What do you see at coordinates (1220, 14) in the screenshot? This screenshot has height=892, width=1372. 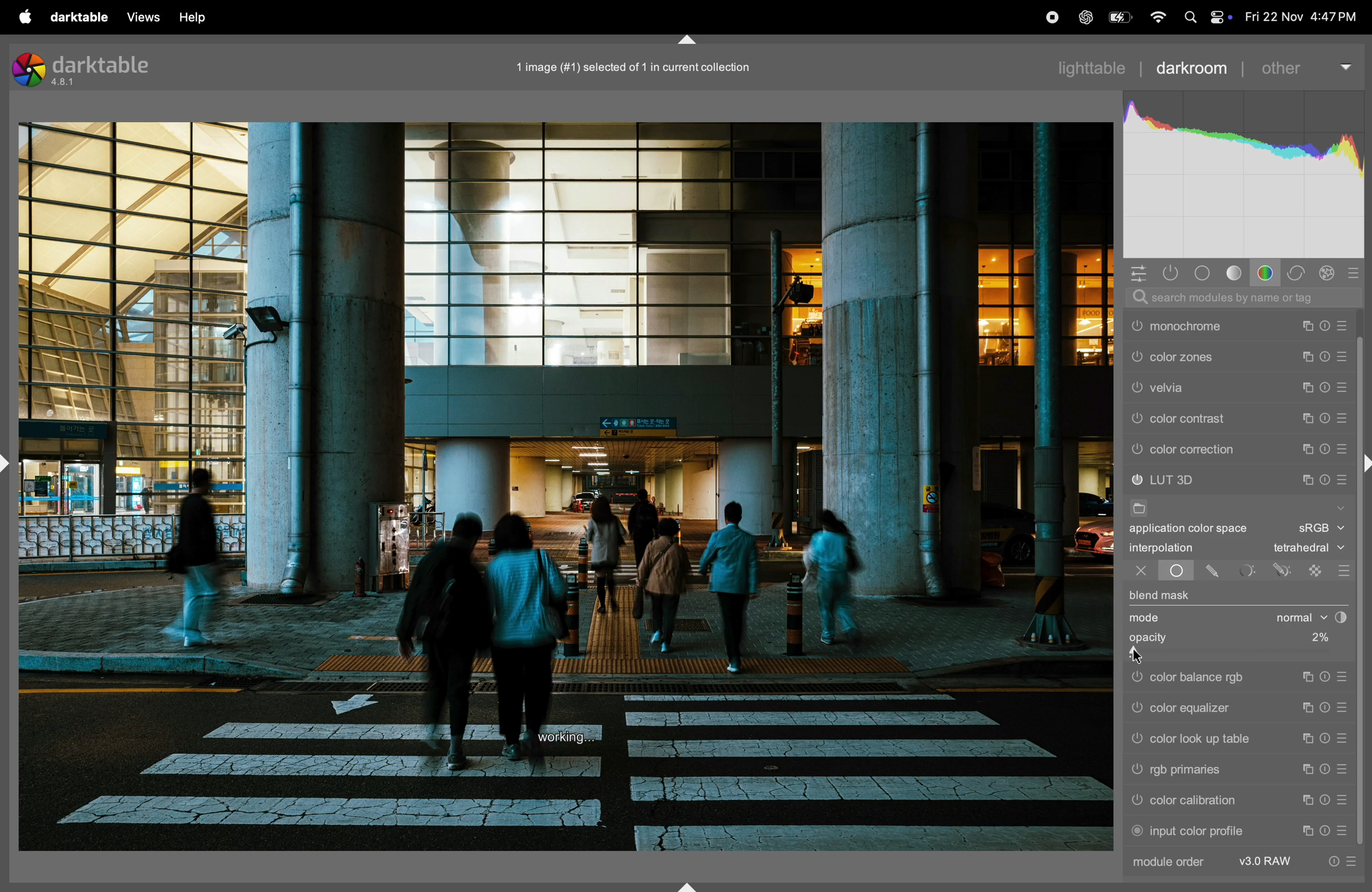 I see `apple widgets` at bounding box center [1220, 14].